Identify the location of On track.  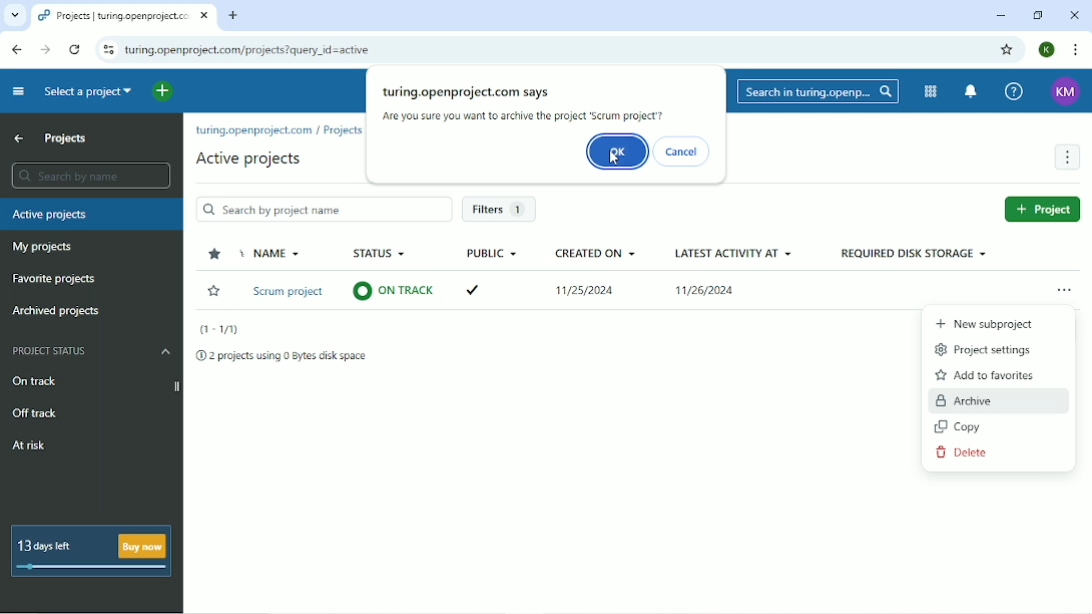
(95, 383).